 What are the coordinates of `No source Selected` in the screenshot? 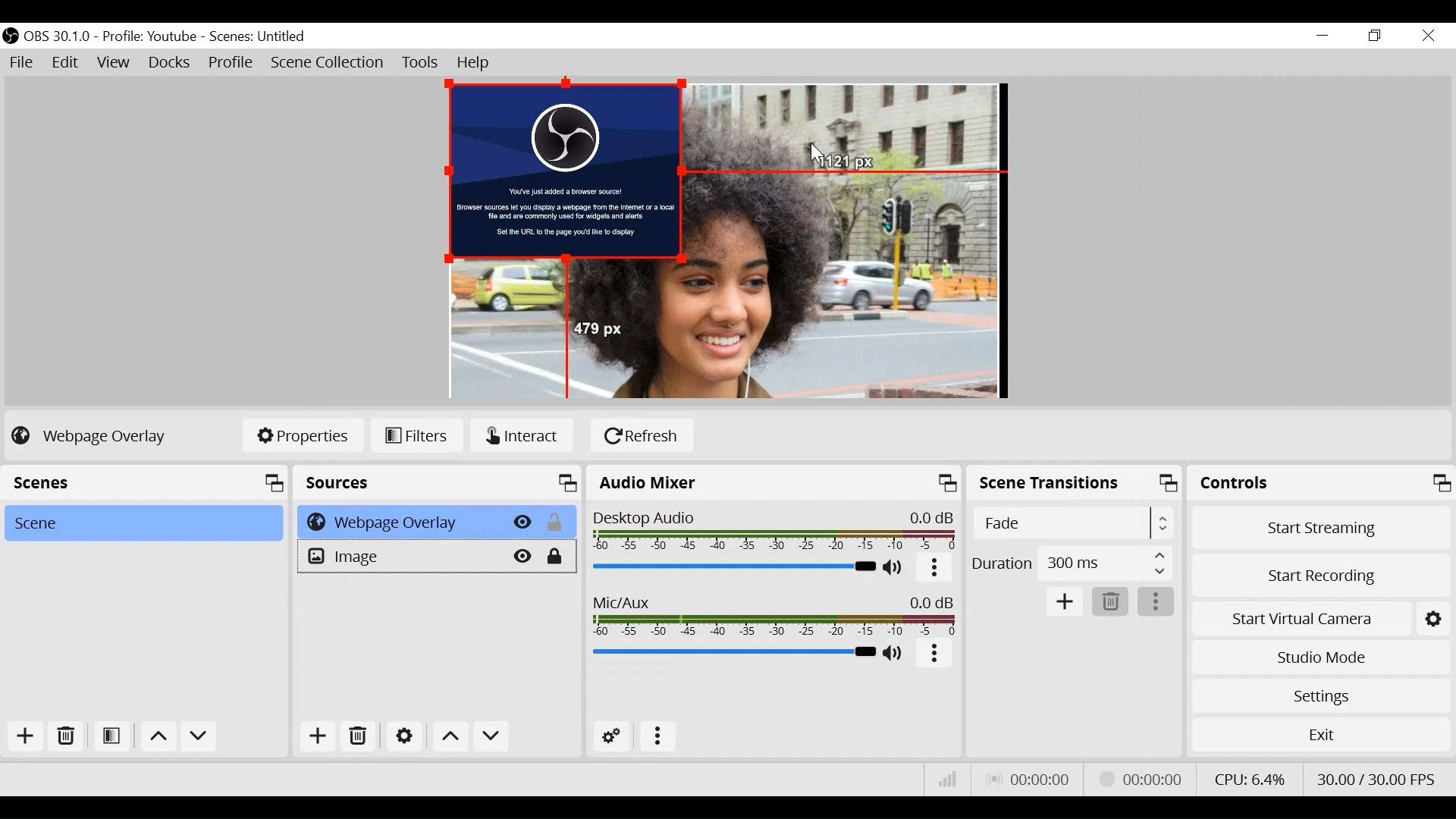 It's located at (80, 438).